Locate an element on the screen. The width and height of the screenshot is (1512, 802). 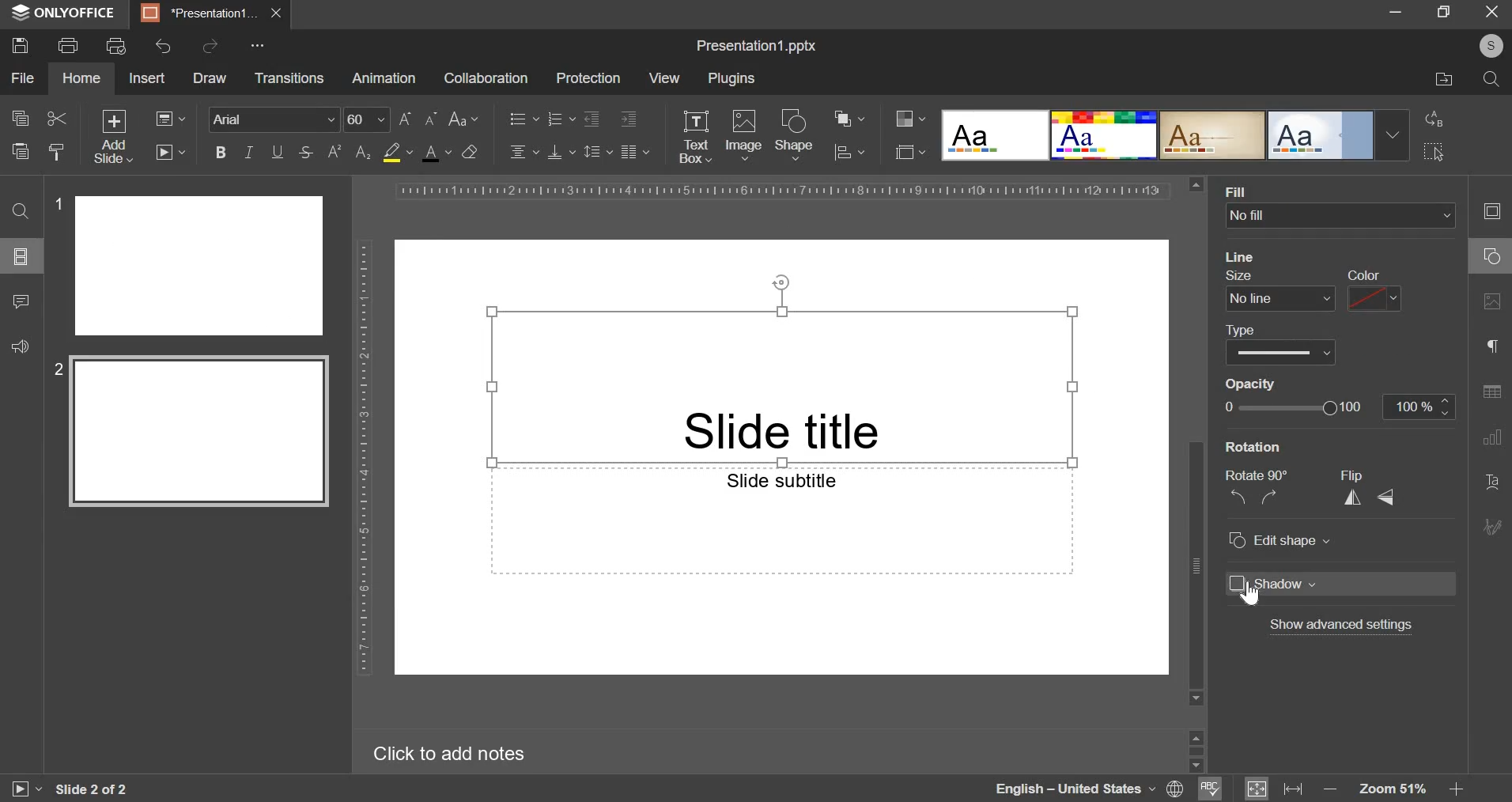
animation is located at coordinates (384, 78).